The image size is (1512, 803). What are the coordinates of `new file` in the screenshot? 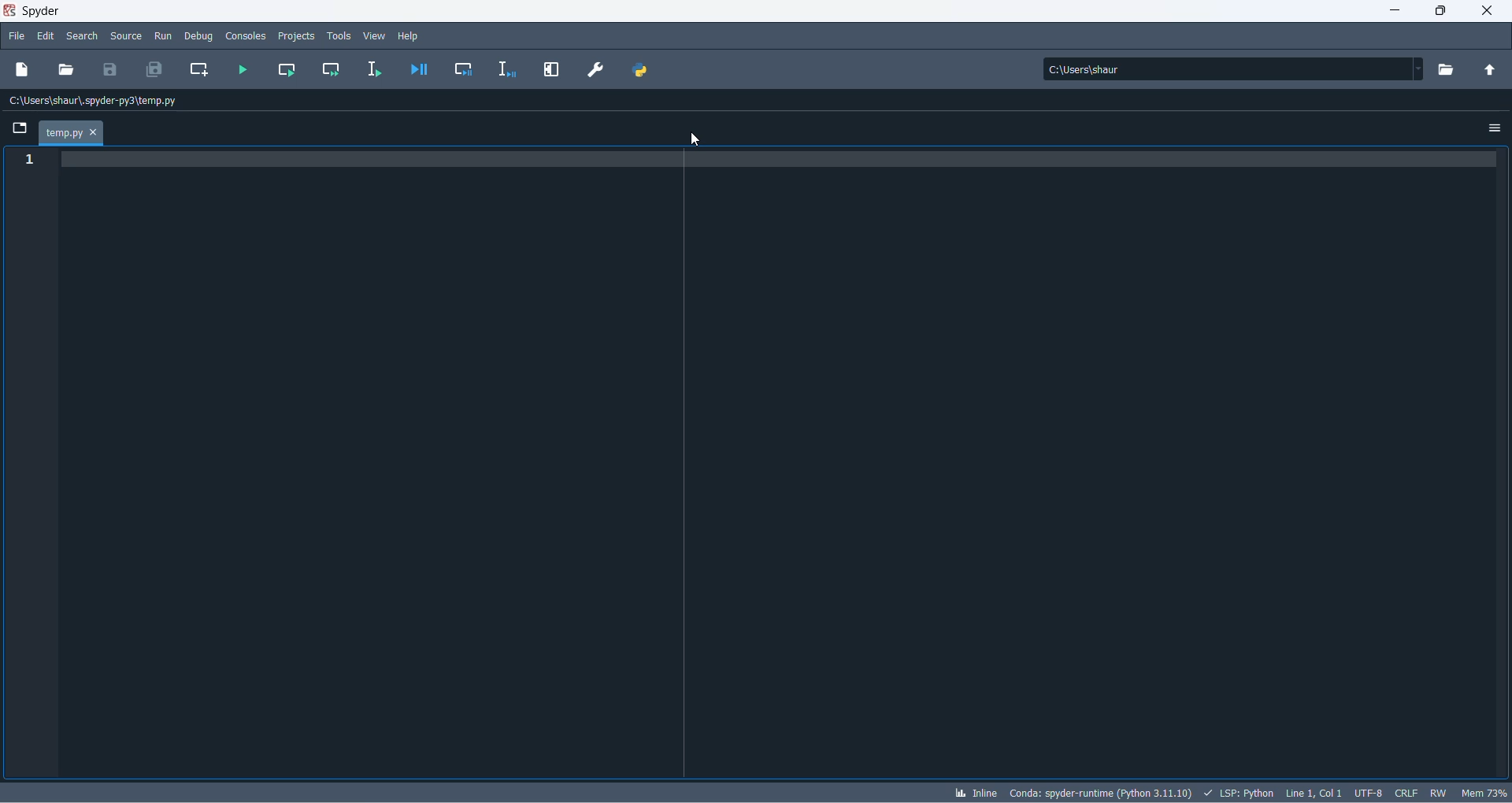 It's located at (22, 70).